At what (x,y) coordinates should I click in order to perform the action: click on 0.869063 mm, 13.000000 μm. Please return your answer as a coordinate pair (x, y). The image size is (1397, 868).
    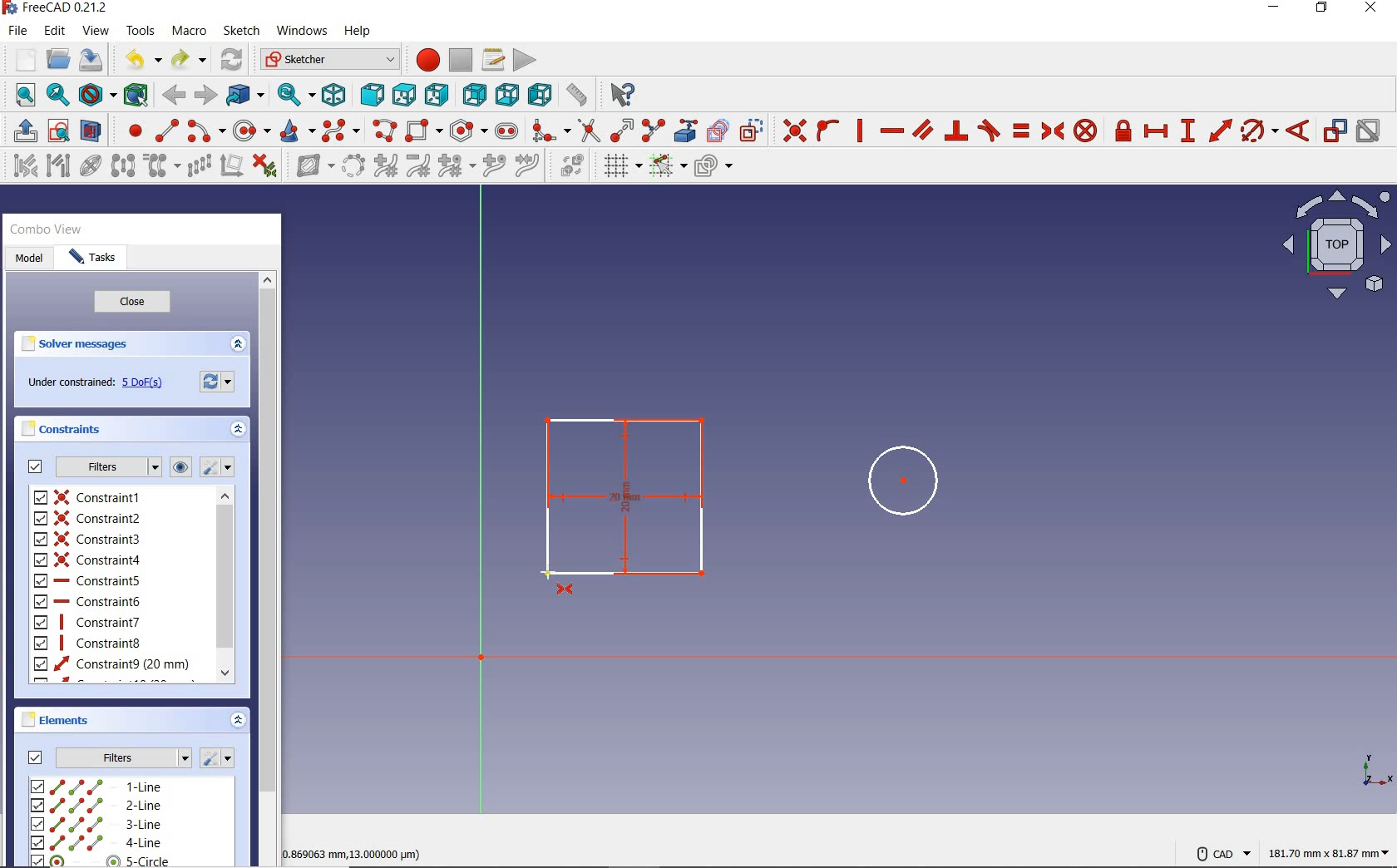
    Looking at the image, I should click on (356, 855).